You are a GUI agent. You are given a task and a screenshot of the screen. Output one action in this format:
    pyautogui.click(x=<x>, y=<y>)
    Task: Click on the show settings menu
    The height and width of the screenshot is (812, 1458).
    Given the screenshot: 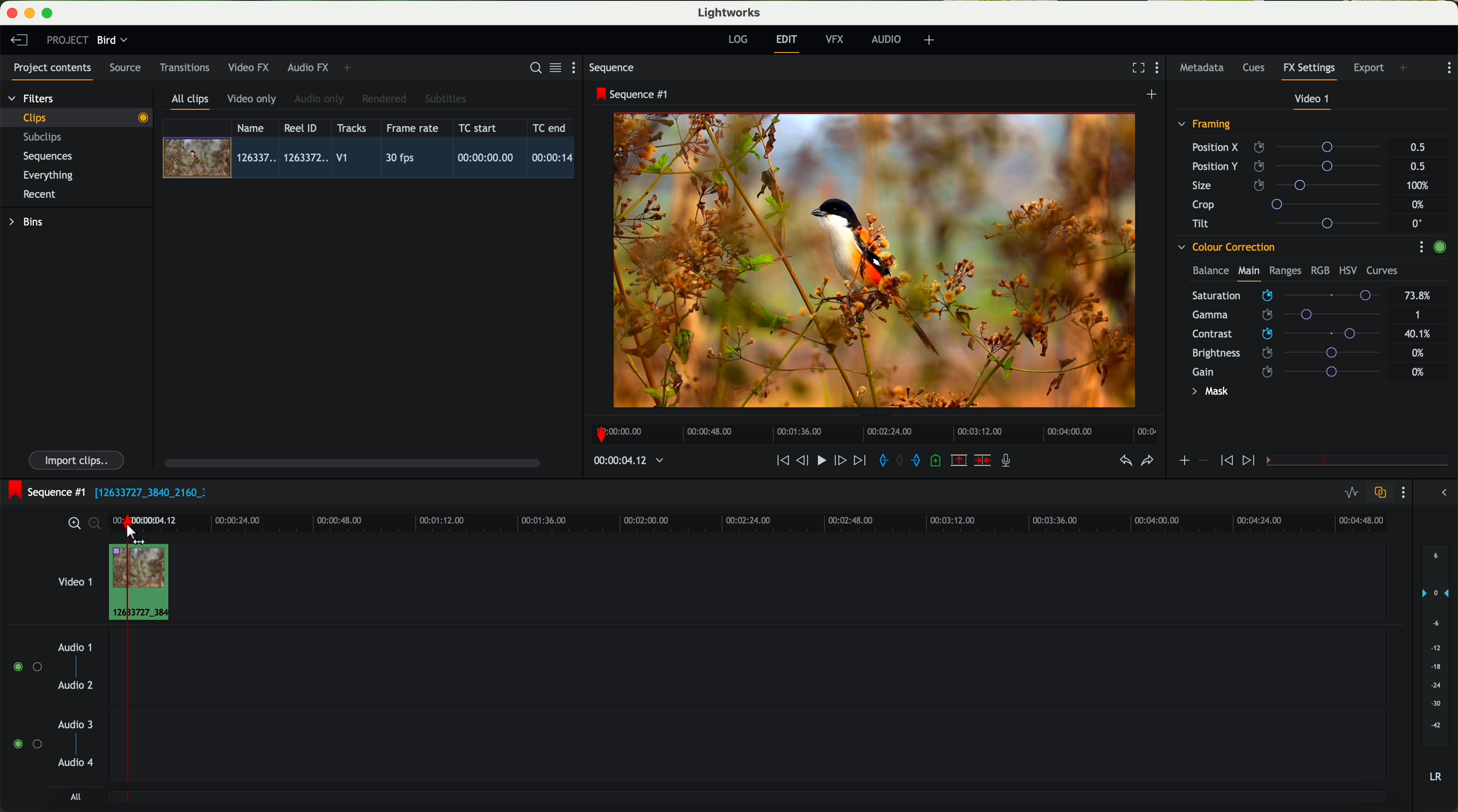 What is the action you would take?
    pyautogui.click(x=578, y=67)
    